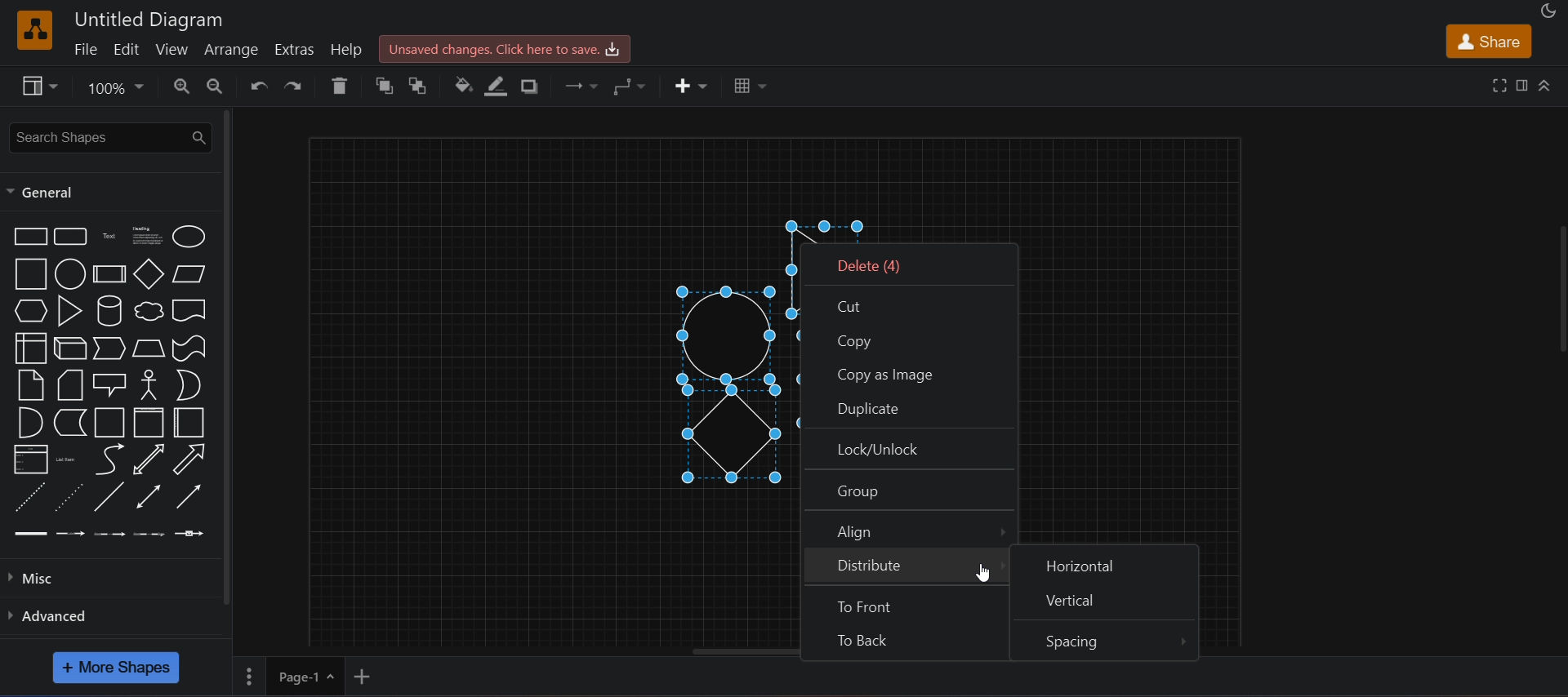 The image size is (1568, 697). I want to click on cut, so click(905, 304).